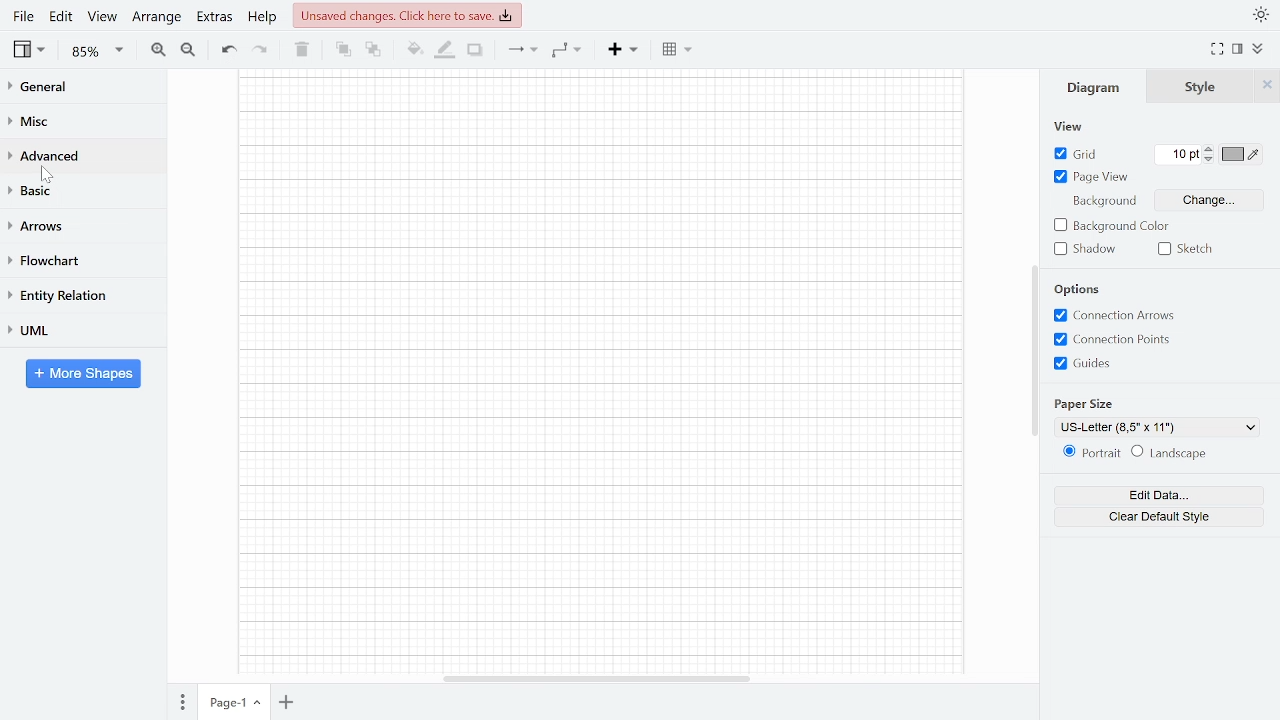 This screenshot has height=720, width=1280. Describe the element at coordinates (373, 50) in the screenshot. I see `TO back` at that location.